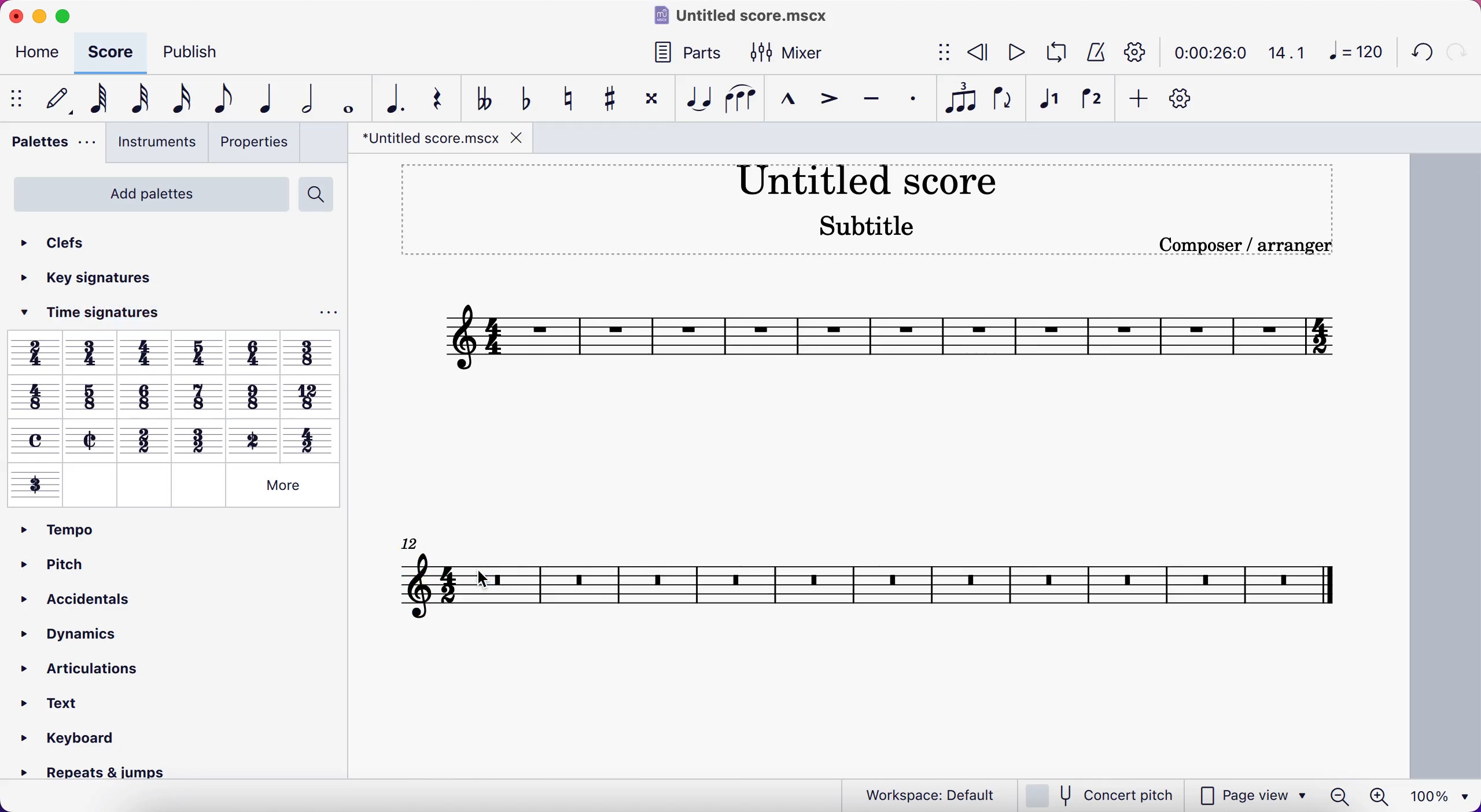 The image size is (1481, 812). I want to click on , so click(34, 396).